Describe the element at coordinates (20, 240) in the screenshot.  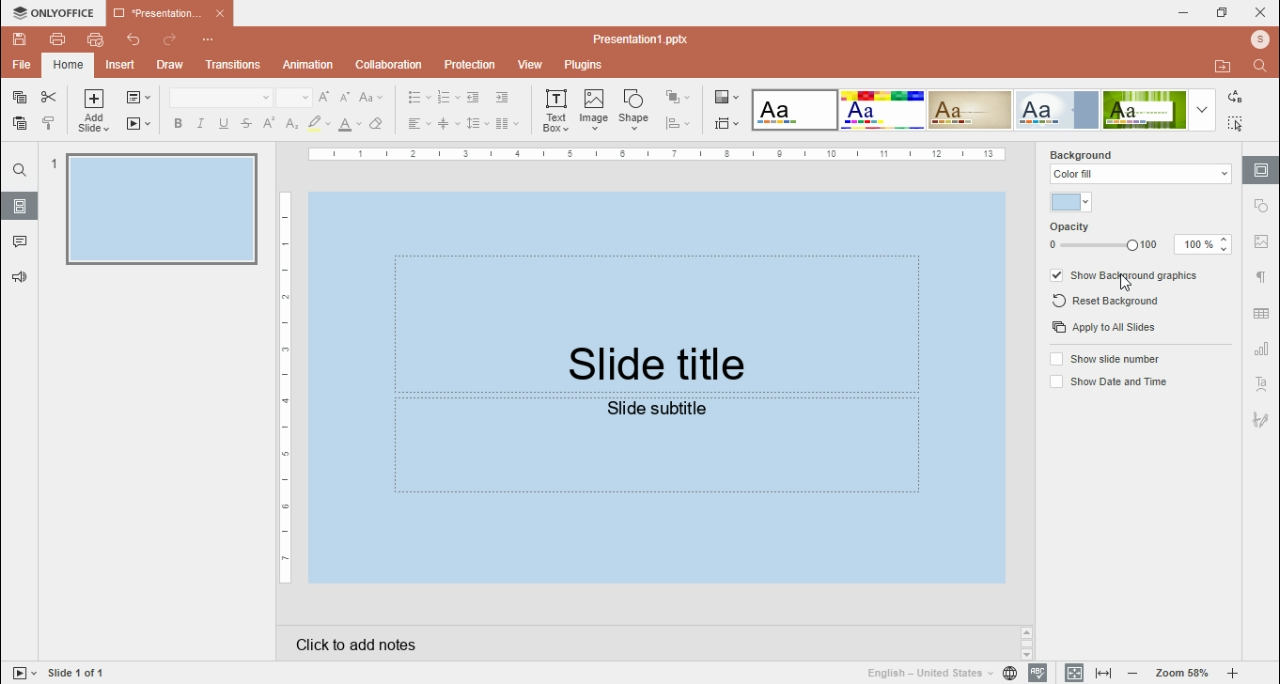
I see `comments` at that location.